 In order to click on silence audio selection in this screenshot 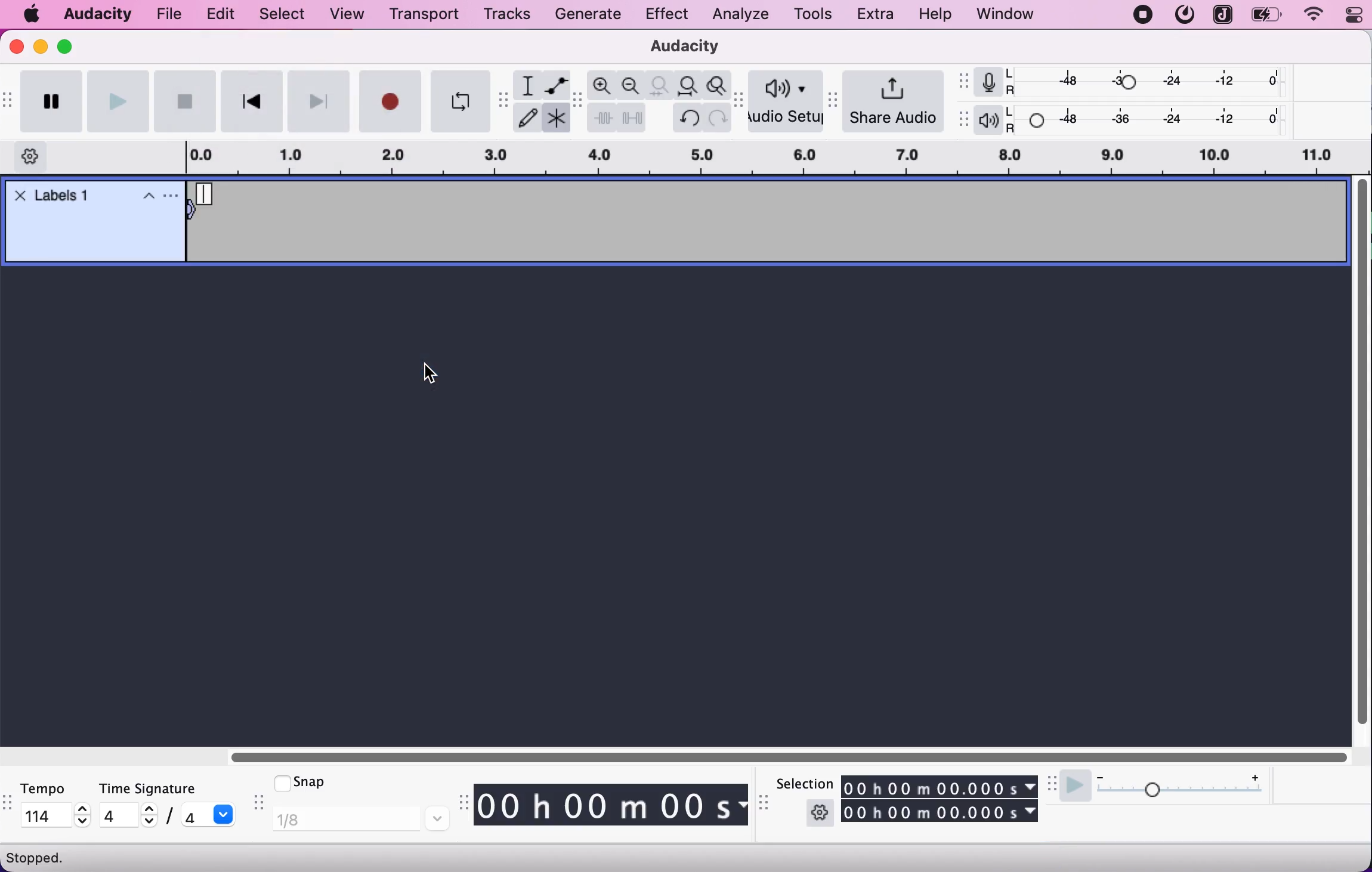, I will do `click(632, 117)`.